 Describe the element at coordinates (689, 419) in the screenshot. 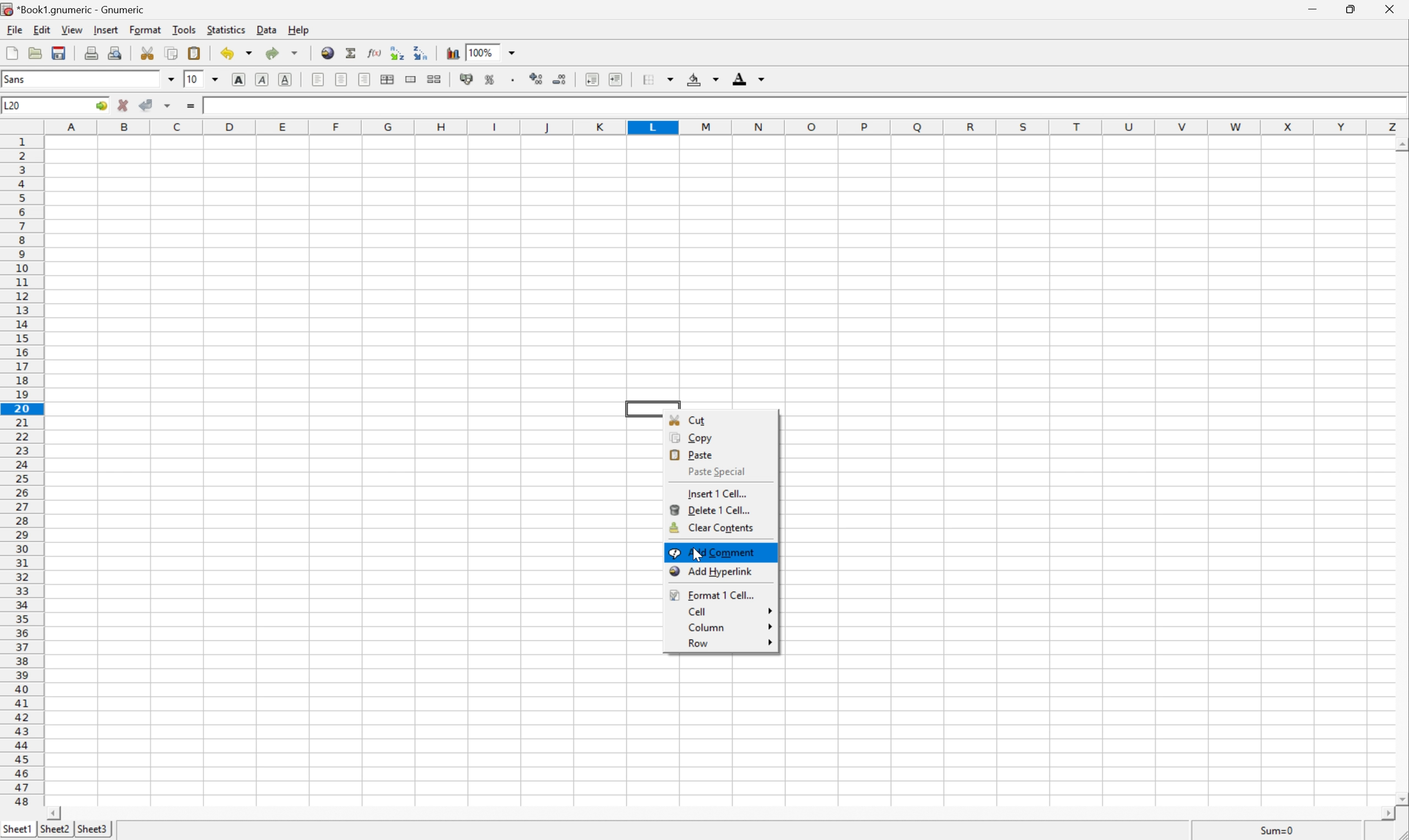

I see `Cut` at that location.